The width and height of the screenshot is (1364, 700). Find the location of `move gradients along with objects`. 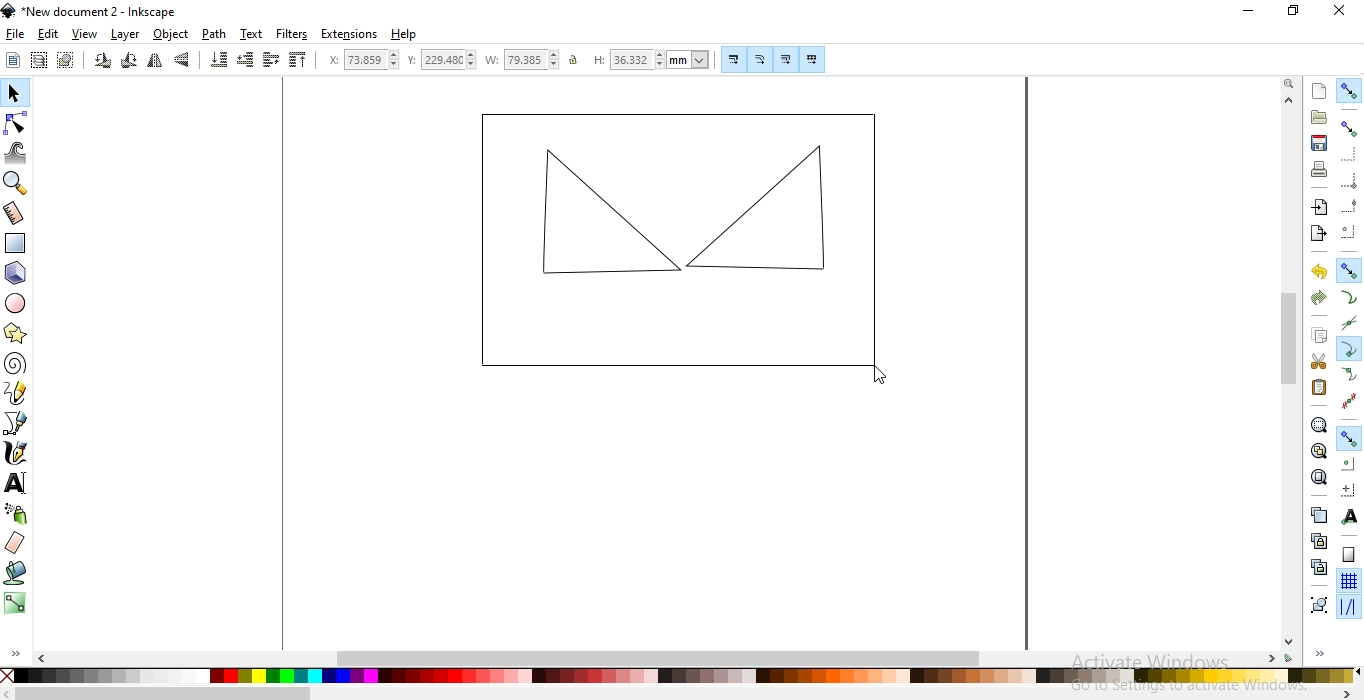

move gradients along with objects is located at coordinates (786, 60).